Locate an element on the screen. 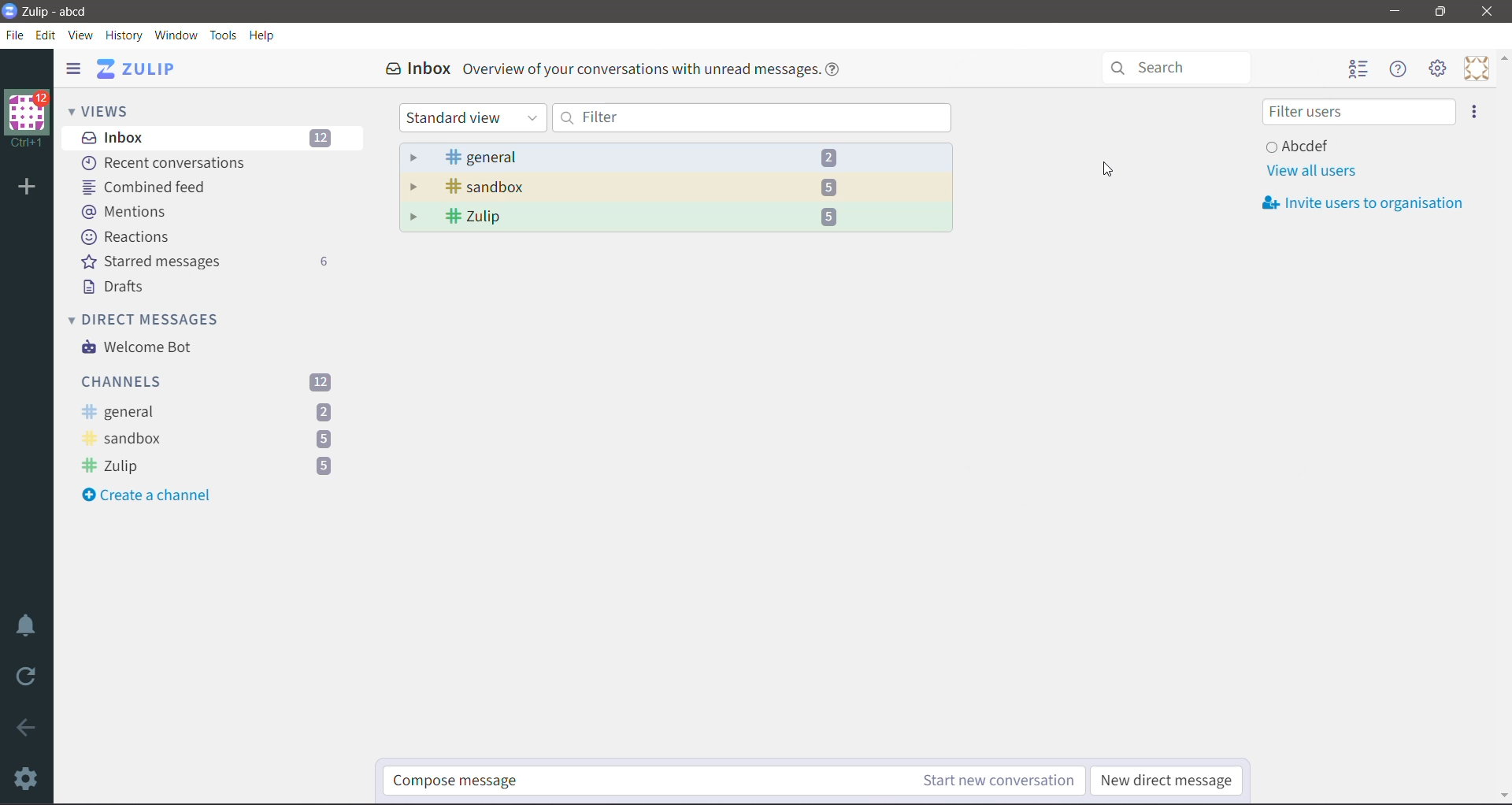 This screenshot has height=805, width=1512. Starred messages is located at coordinates (211, 263).